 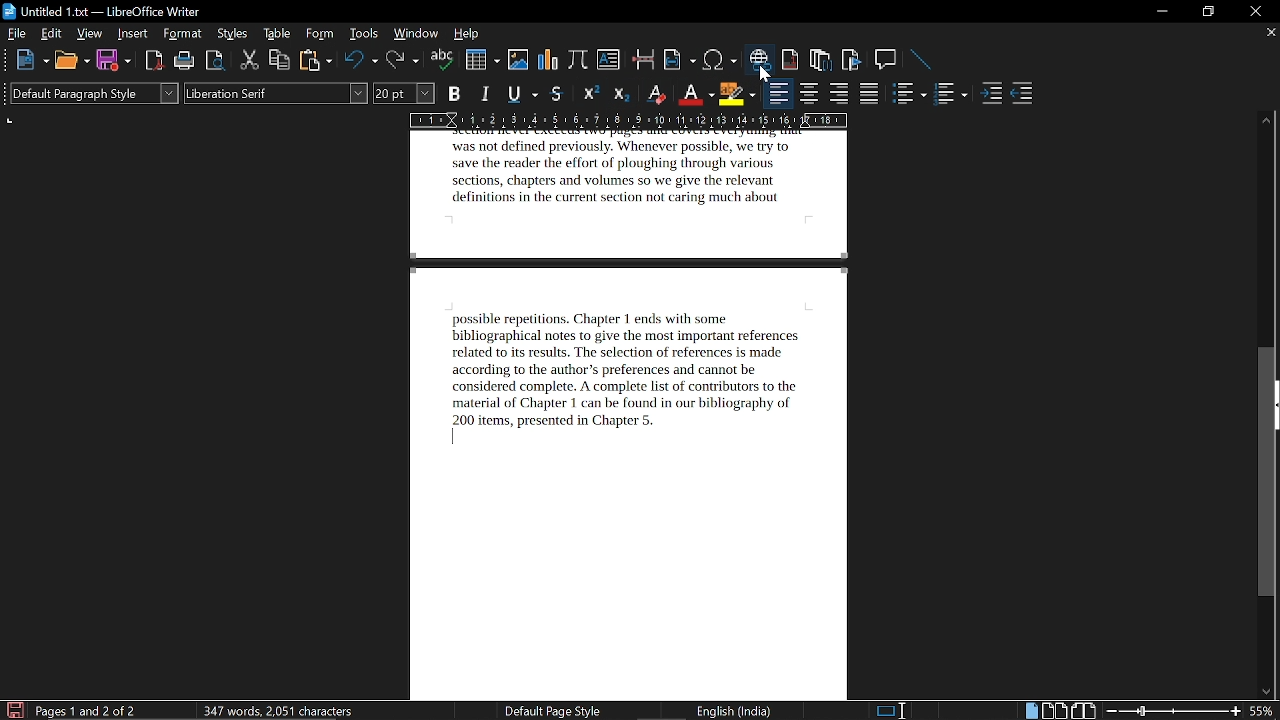 I want to click on strikethrough, so click(x=556, y=94).